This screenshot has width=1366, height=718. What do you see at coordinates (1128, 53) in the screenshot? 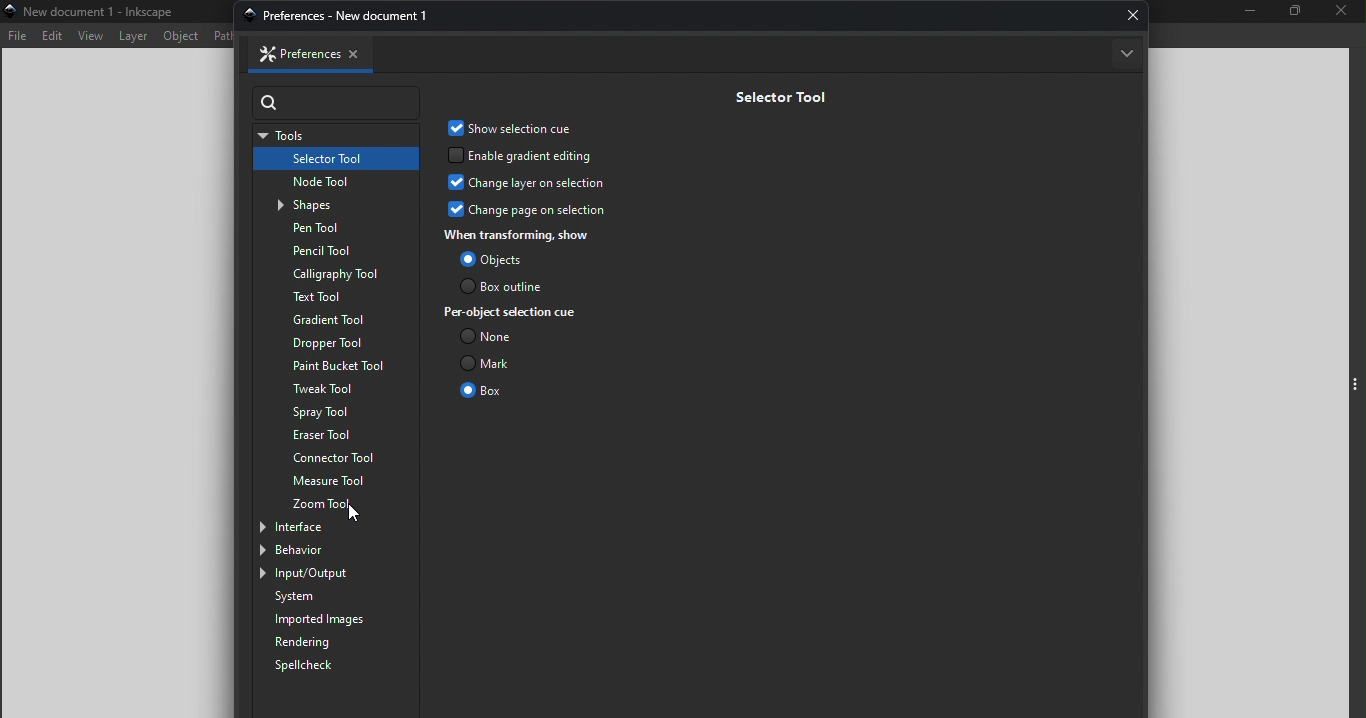
I see `More options` at bounding box center [1128, 53].